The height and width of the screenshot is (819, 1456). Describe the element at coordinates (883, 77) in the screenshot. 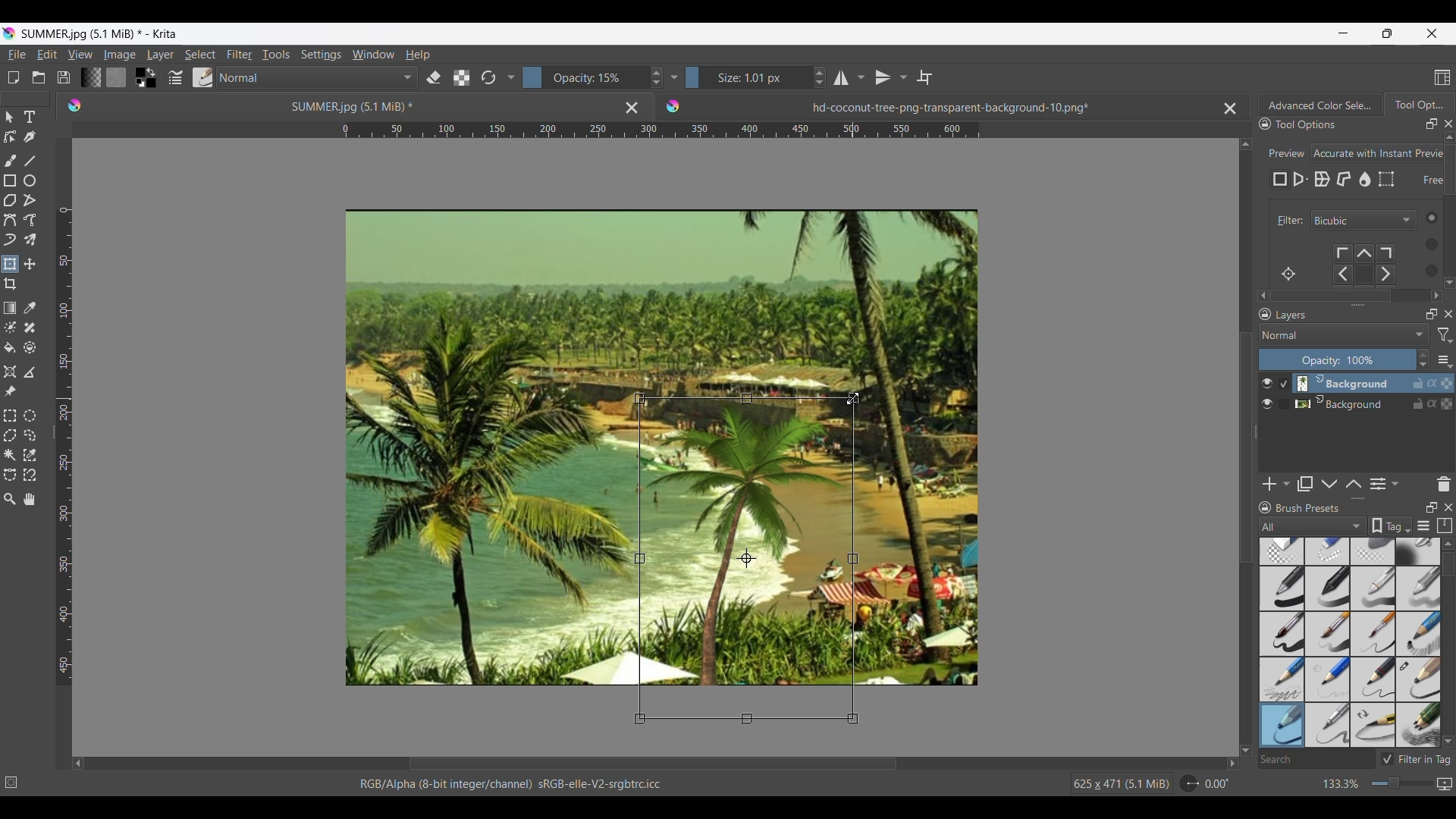

I see `Vertical flip options` at that location.